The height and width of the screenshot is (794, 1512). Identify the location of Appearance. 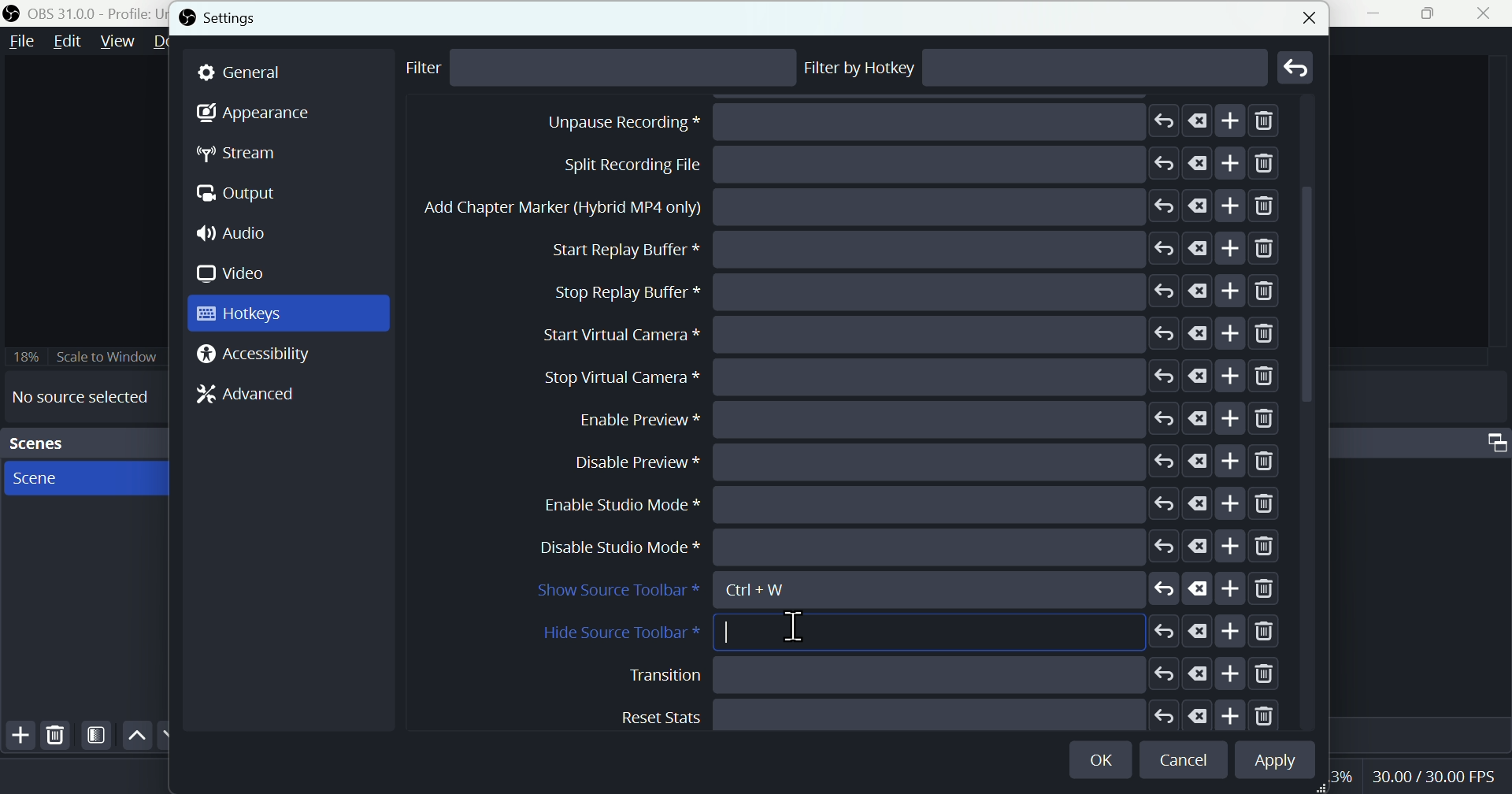
(253, 117).